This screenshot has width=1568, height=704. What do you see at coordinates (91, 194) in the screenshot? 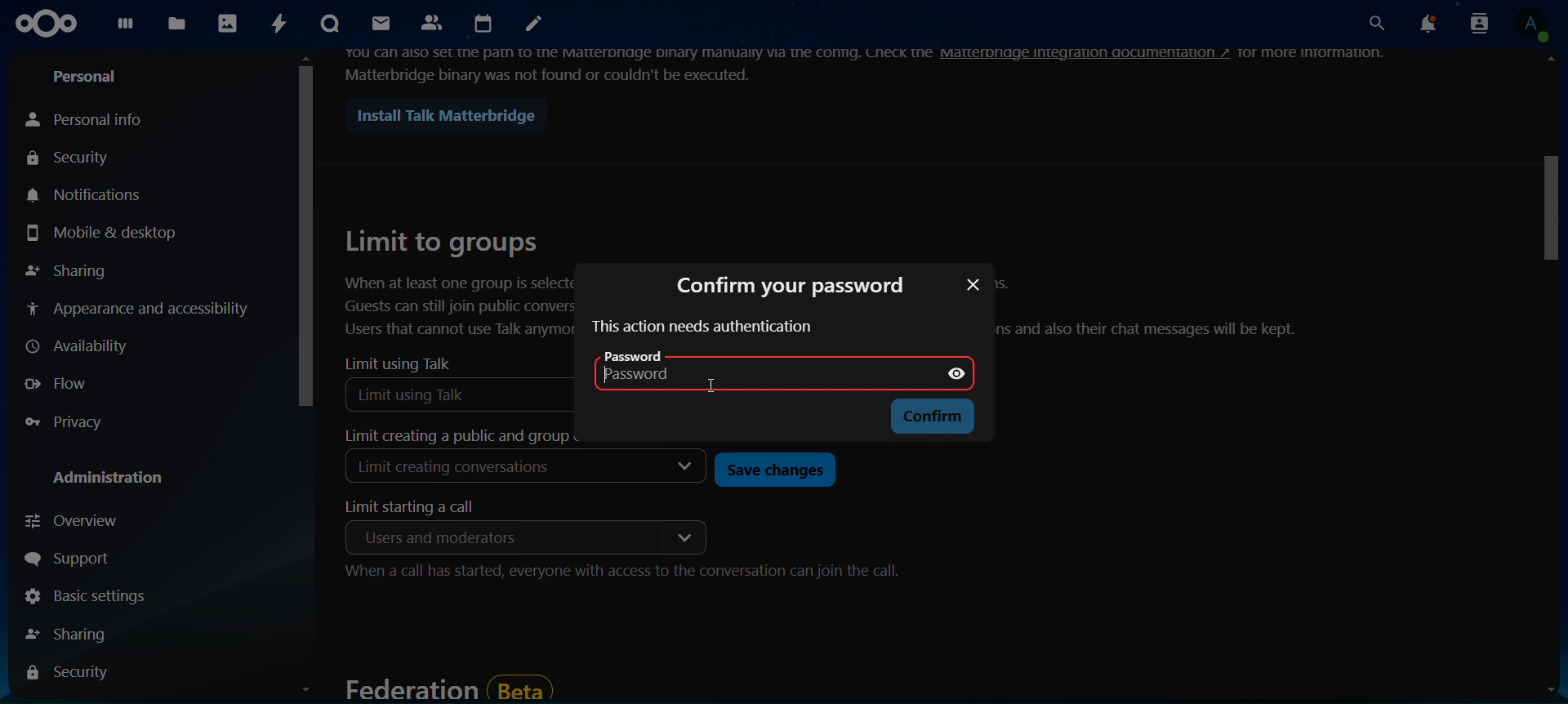
I see `notifications` at bounding box center [91, 194].